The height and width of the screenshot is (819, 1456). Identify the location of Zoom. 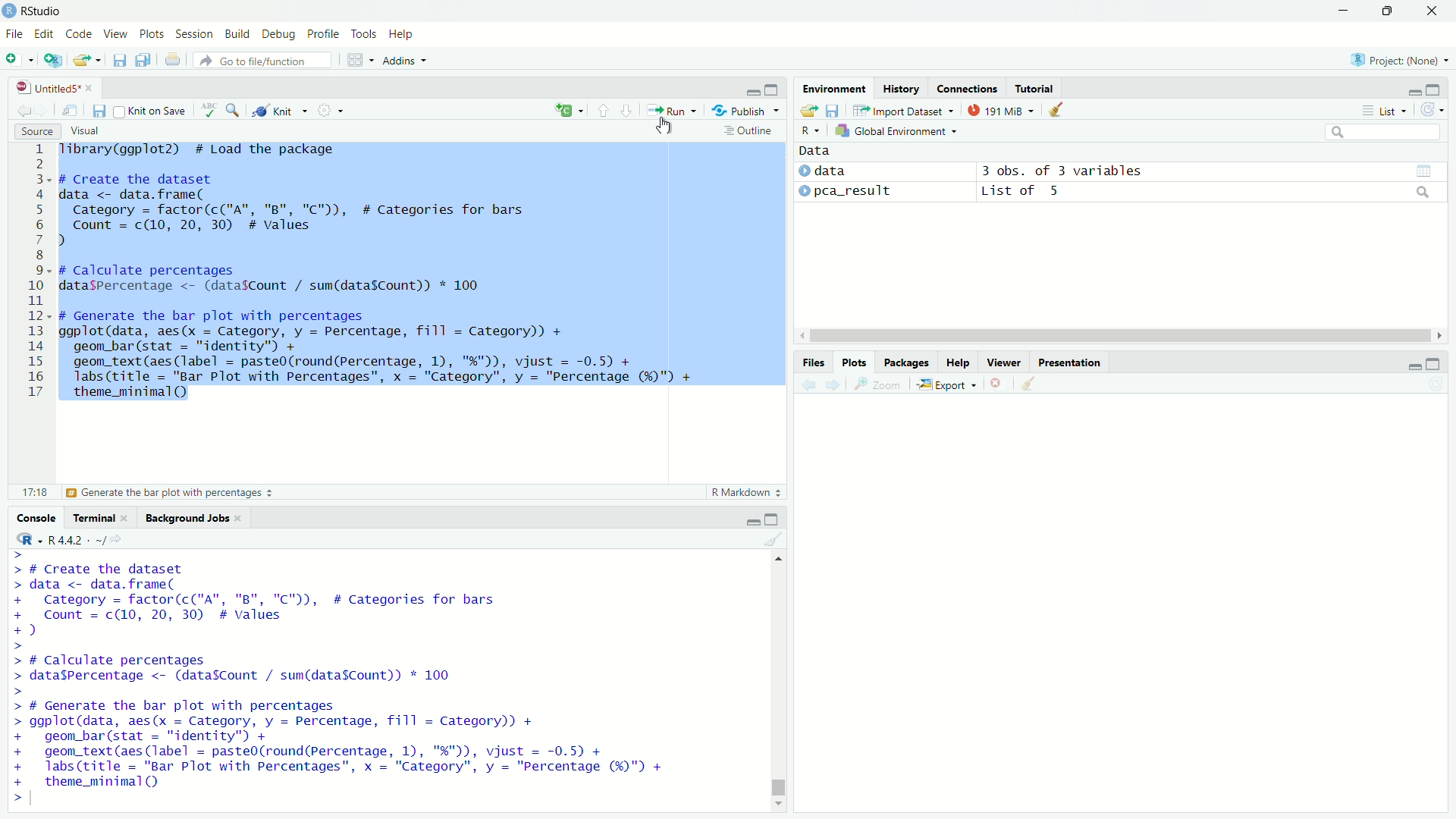
(878, 384).